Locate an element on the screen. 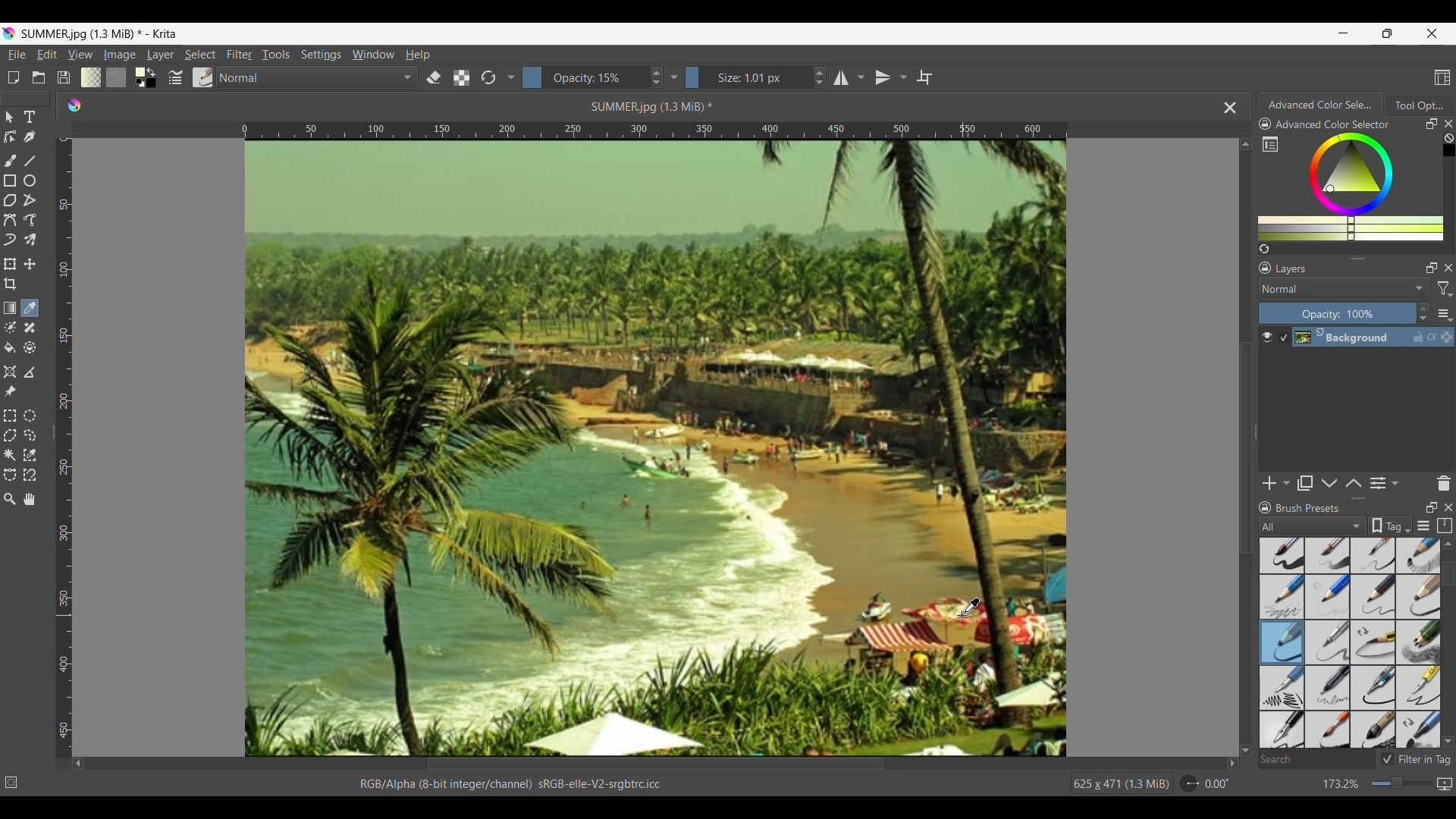 The height and width of the screenshot is (819, 1456). Select menu is located at coordinates (200, 55).